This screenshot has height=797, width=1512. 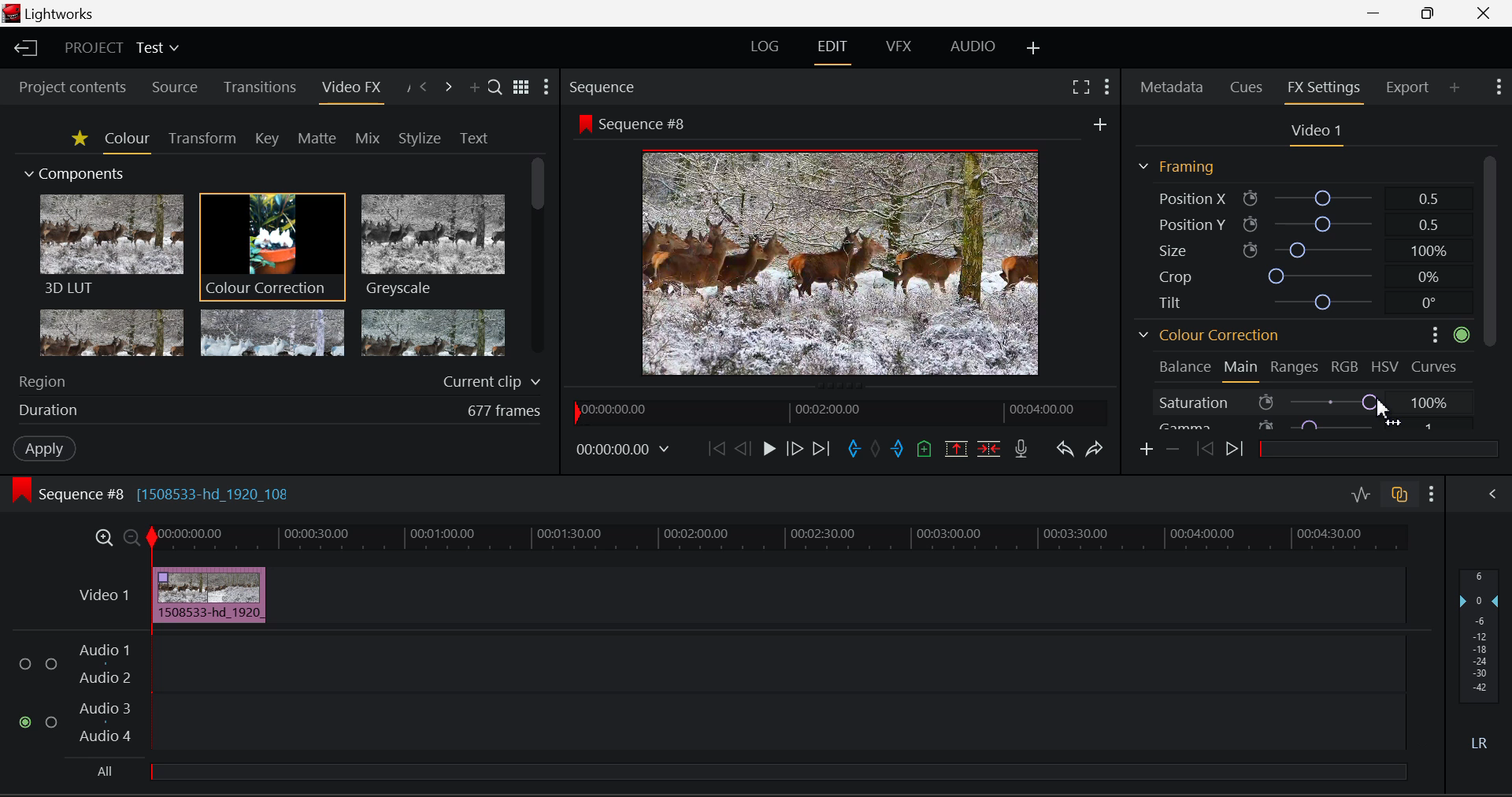 I want to click on Decibel Level, so click(x=1484, y=662).